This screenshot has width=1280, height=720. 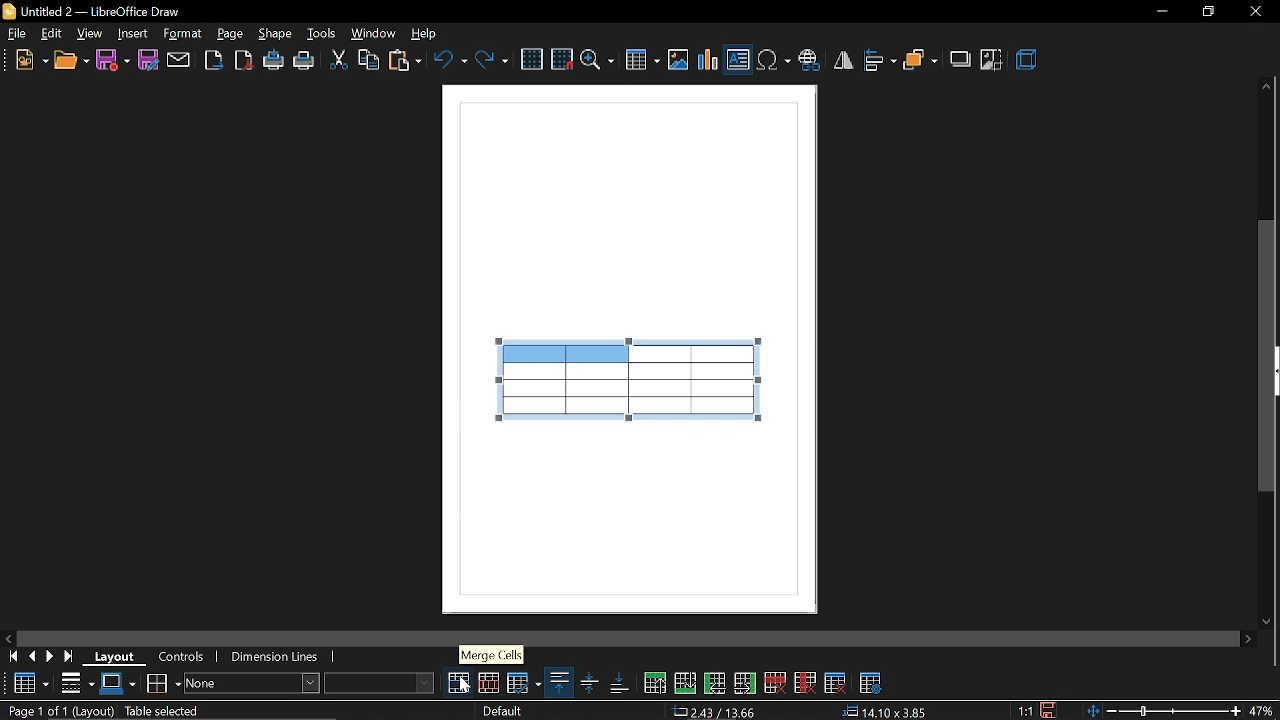 What do you see at coordinates (383, 682) in the screenshot?
I see `fill color` at bounding box center [383, 682].